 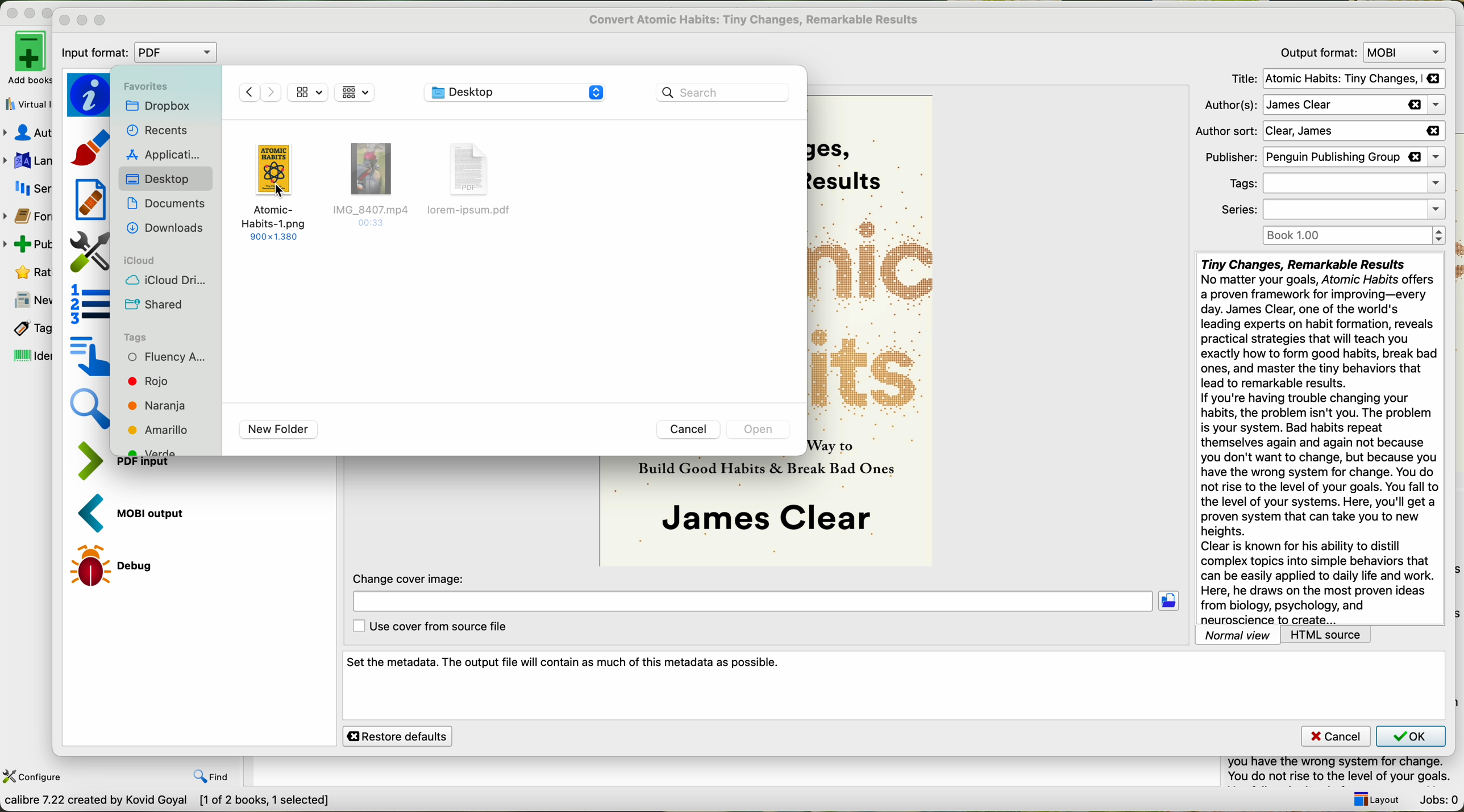 What do you see at coordinates (168, 802) in the screenshot?
I see `data` at bounding box center [168, 802].